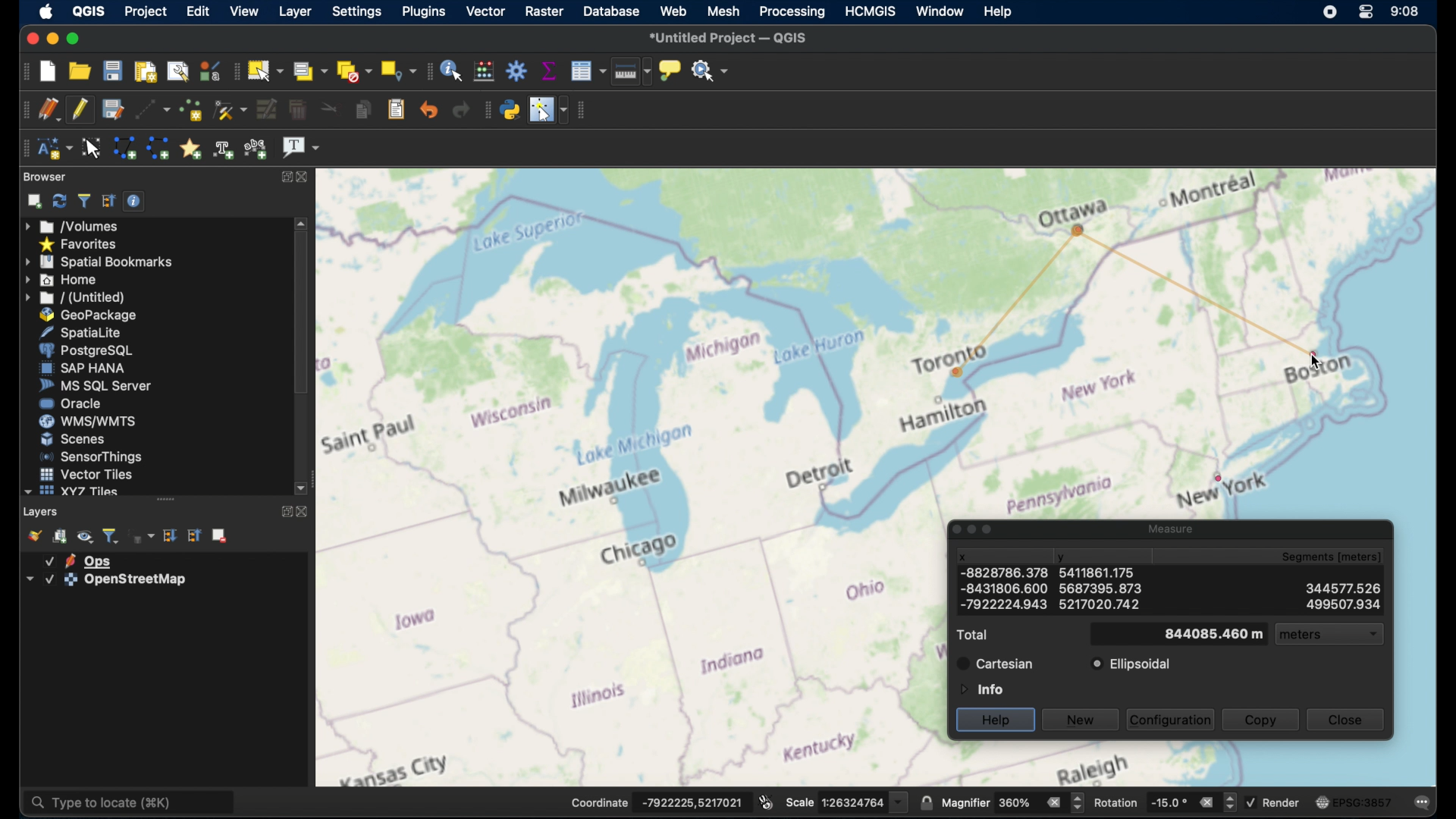 The width and height of the screenshot is (1456, 819). What do you see at coordinates (631, 477) in the screenshot?
I see `open street map` at bounding box center [631, 477].